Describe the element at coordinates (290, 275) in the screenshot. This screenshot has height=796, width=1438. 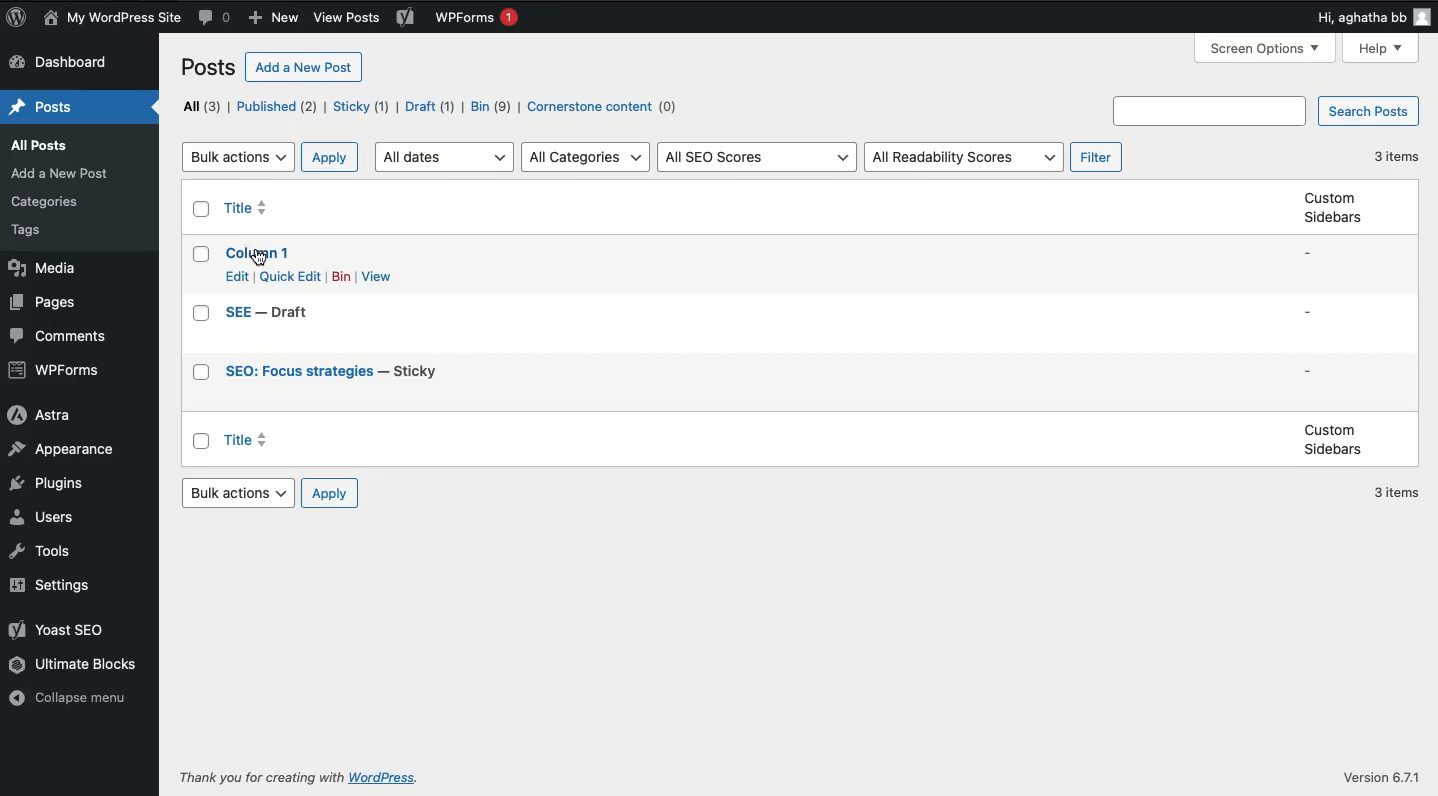
I see `Quick edit` at that location.